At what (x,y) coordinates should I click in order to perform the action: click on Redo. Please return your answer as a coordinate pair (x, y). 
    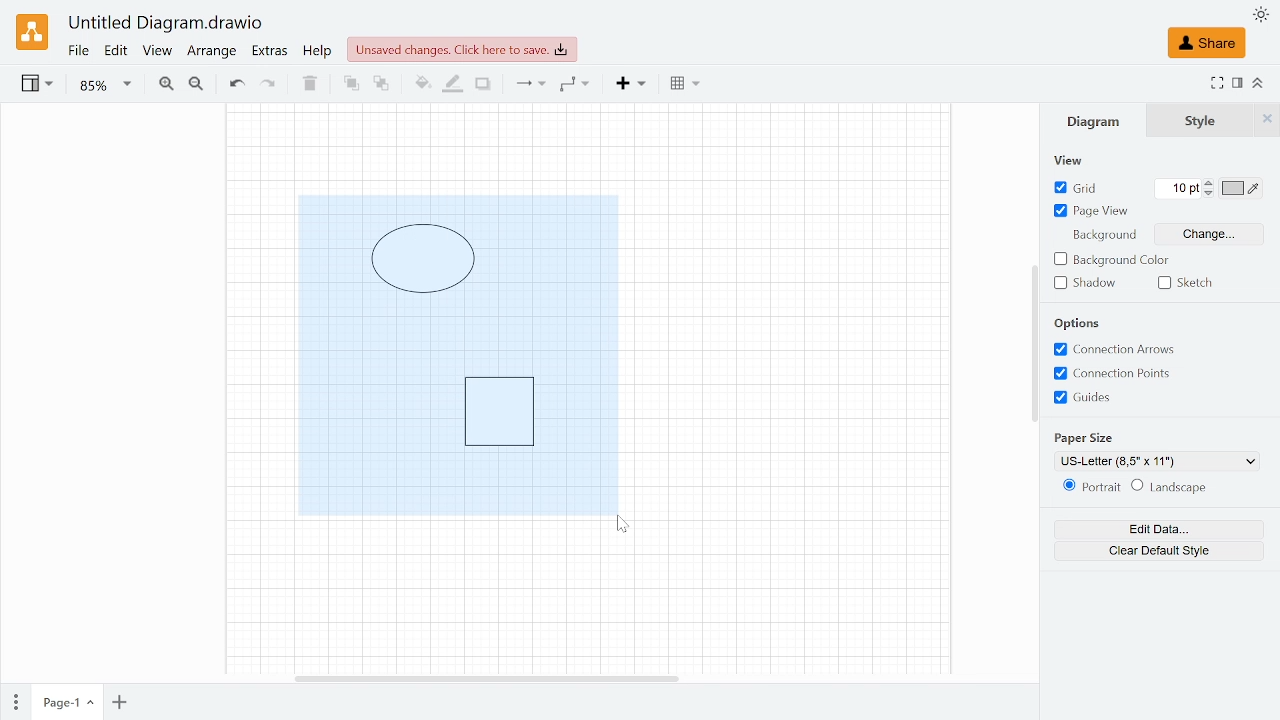
    Looking at the image, I should click on (268, 85).